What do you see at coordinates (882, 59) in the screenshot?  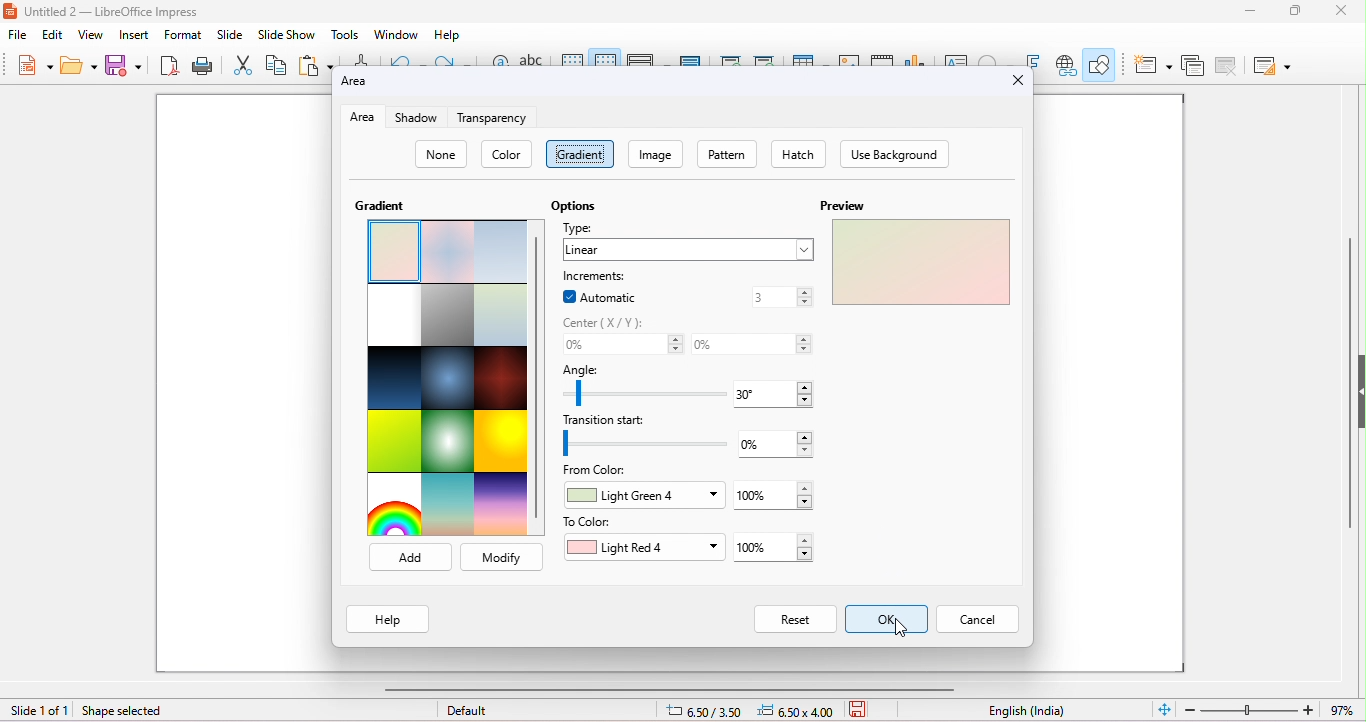 I see `insert audio/video` at bounding box center [882, 59].